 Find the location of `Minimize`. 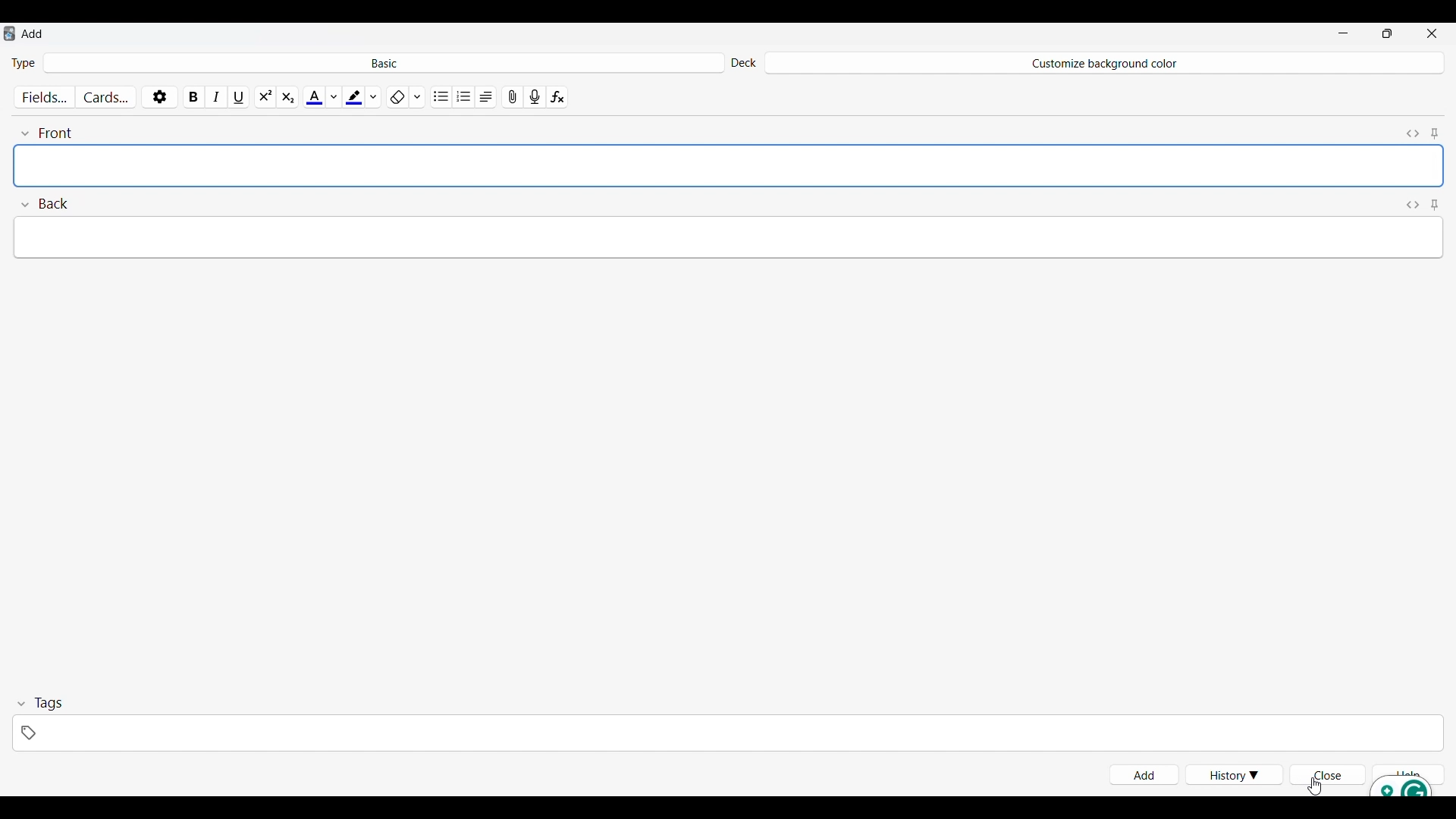

Minimize is located at coordinates (1343, 33).